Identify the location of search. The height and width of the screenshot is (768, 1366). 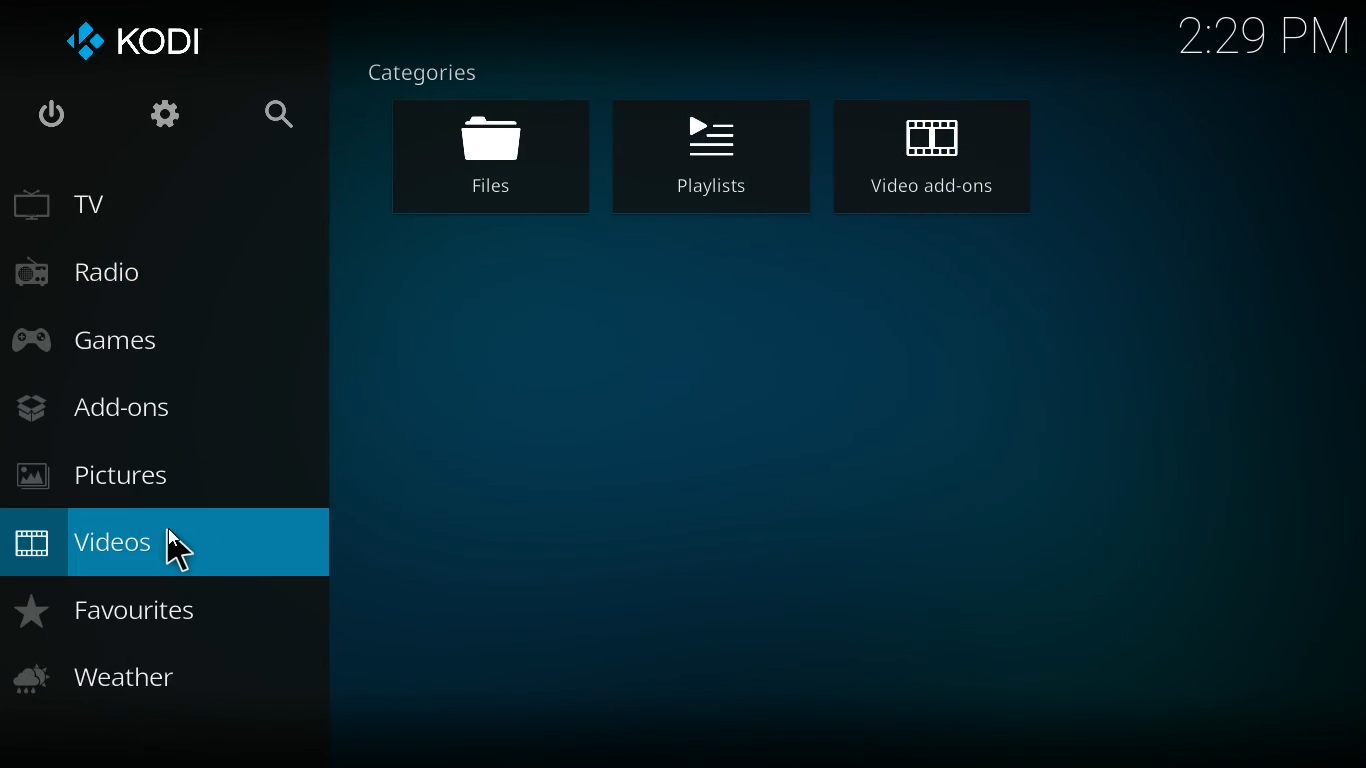
(277, 118).